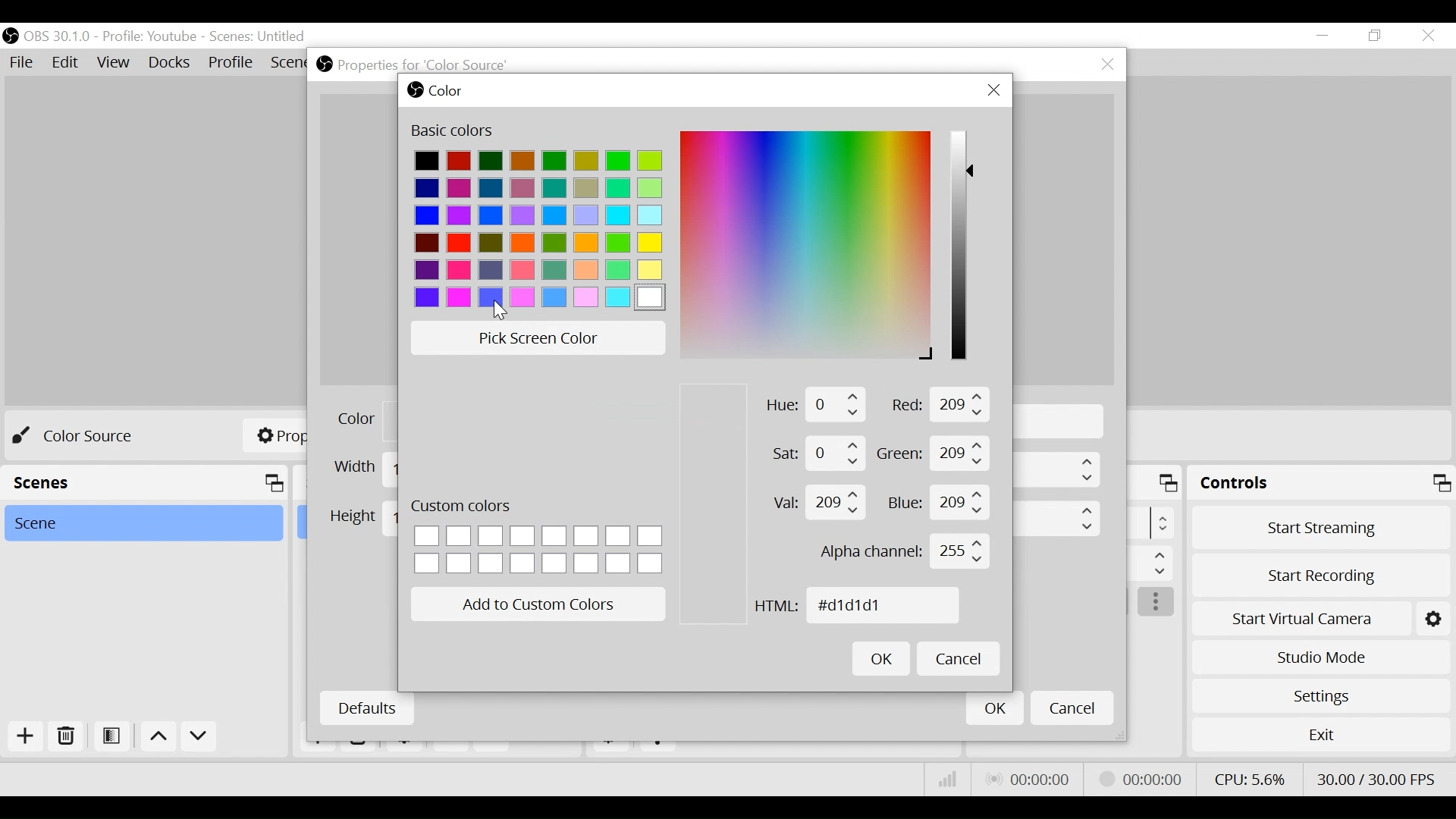 The image size is (1456, 819). Describe the element at coordinates (1322, 485) in the screenshot. I see `Controls` at that location.